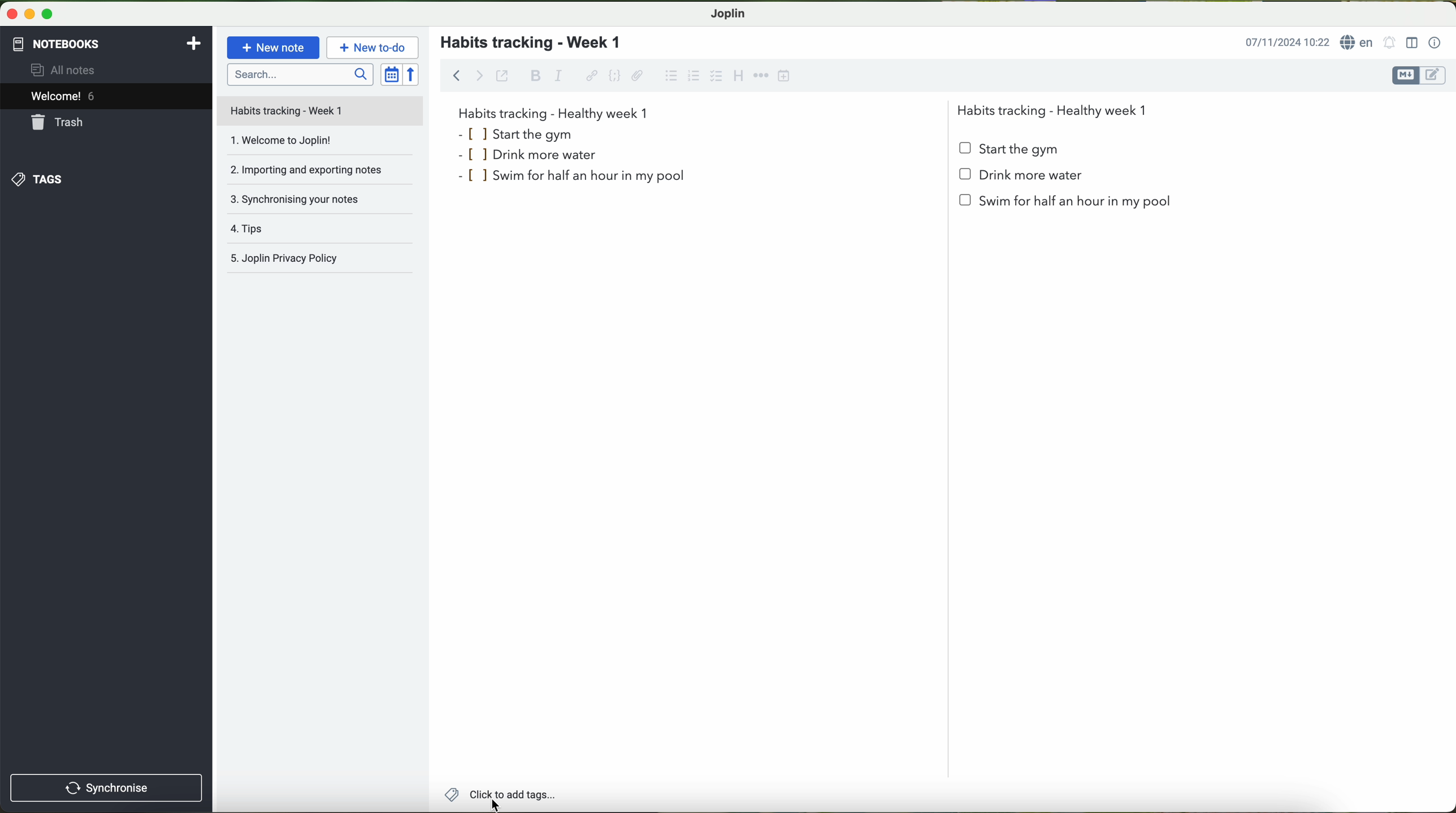 This screenshot has height=813, width=1456. I want to click on all notes, so click(66, 69).